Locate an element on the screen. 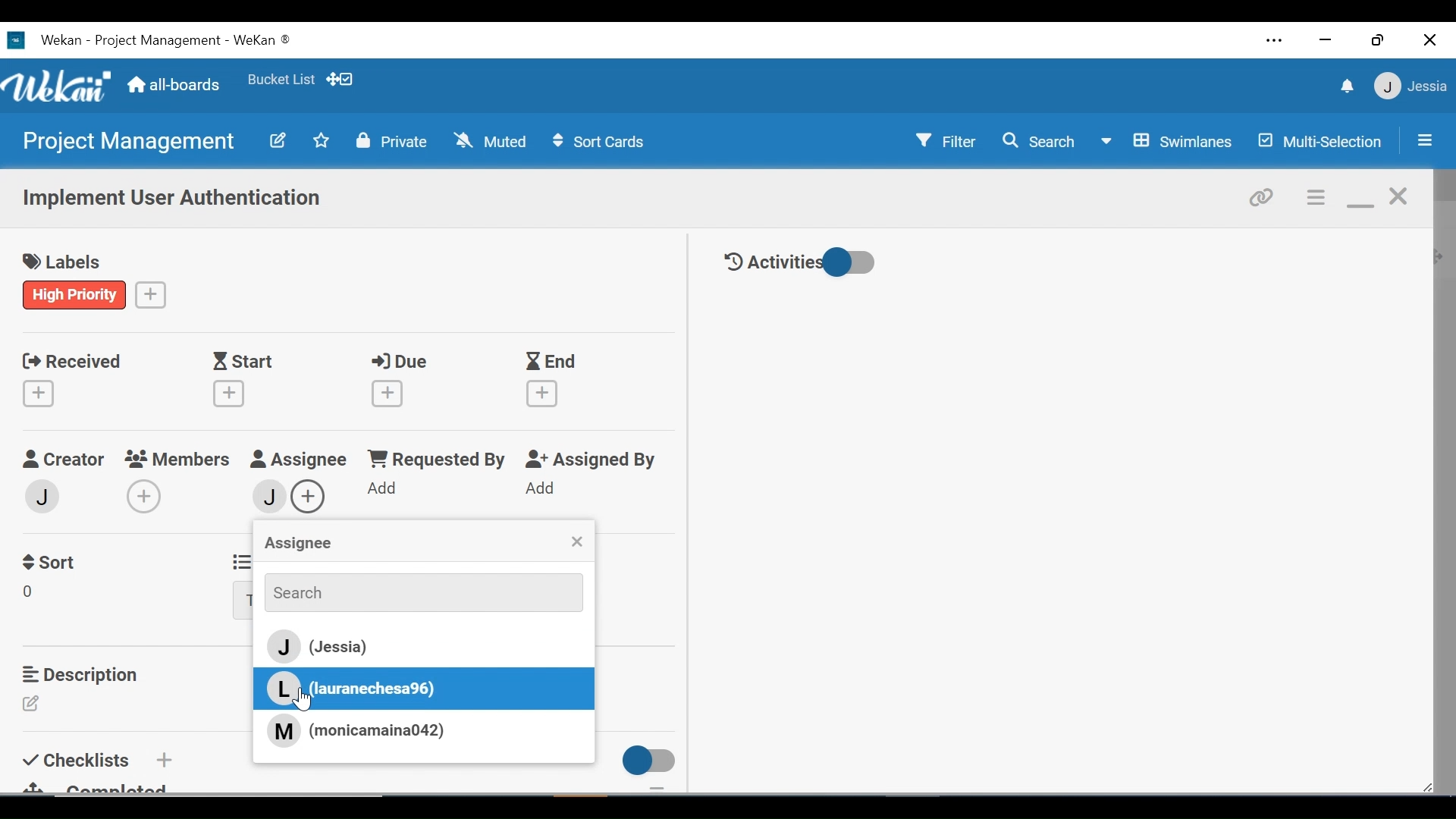  Multi-selection is located at coordinates (1322, 141).